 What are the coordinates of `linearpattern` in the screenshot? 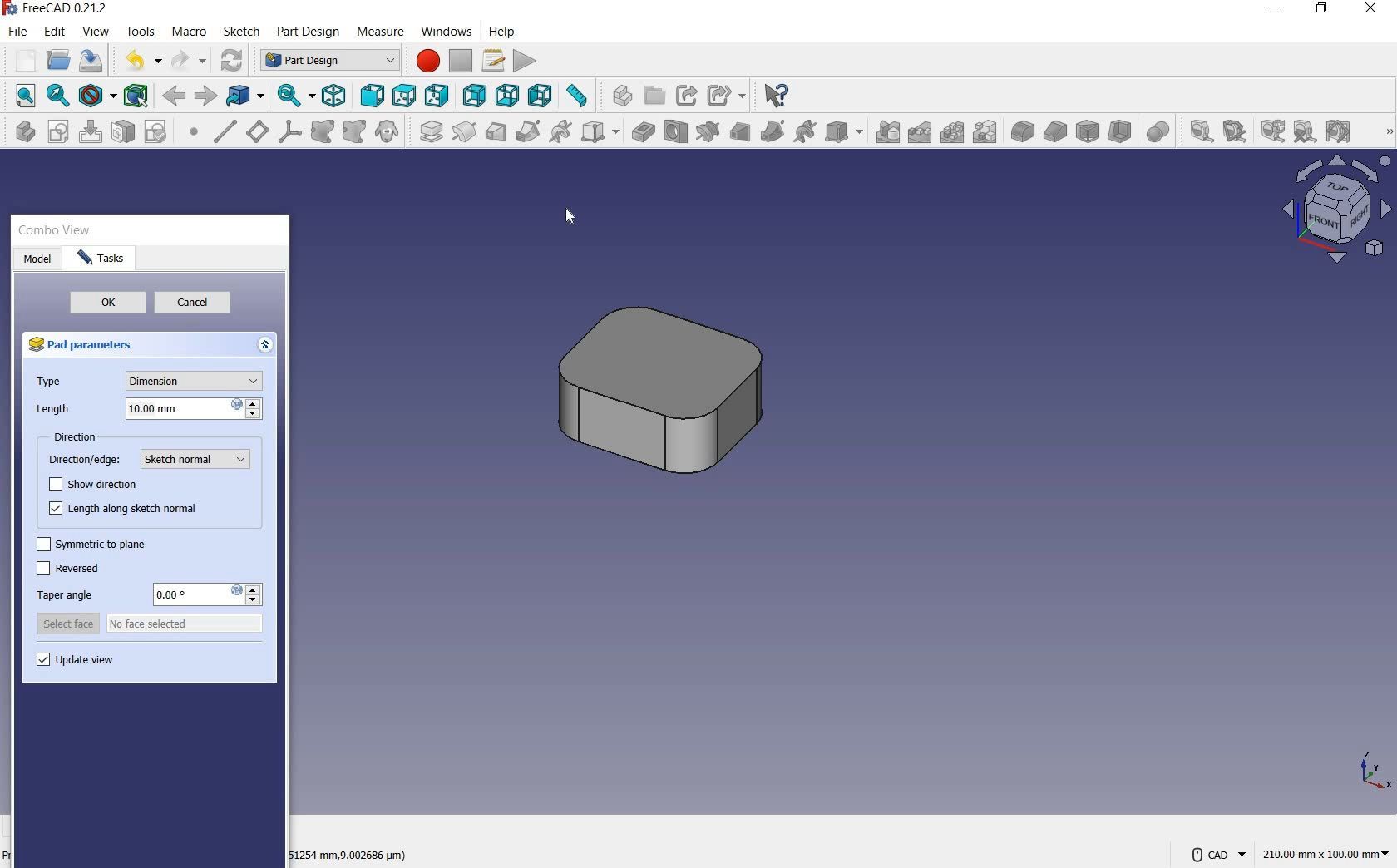 It's located at (921, 133).